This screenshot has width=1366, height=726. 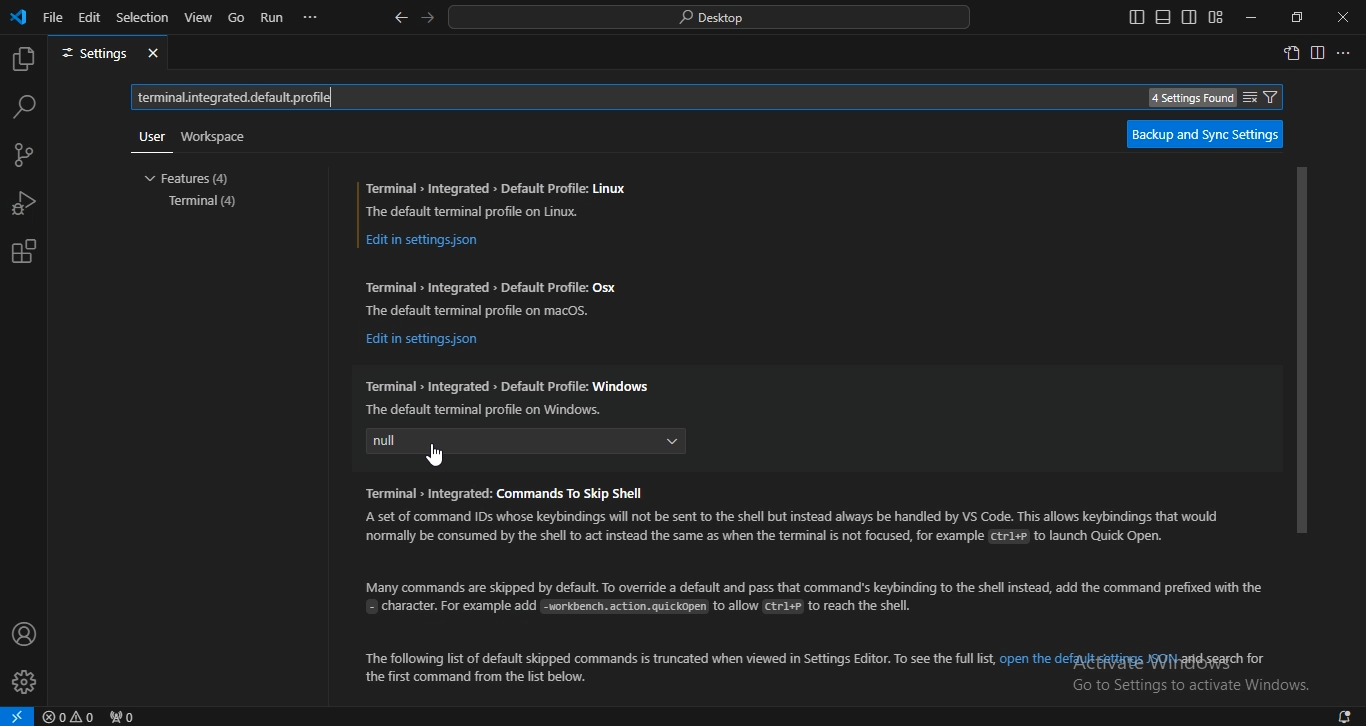 What do you see at coordinates (803, 583) in the screenshot?
I see `Terminal » Integrated: Commands To Skip ShellA set of command IDs whose keybindings will not be sent to the shell but instead always be handled by Vs Code. This allows keybindings that wouldnormally be consumed by the shell to act instead the same as when the terminal is not focused, for example Ctr1## to launch Quick Open.Many commands are skipped by default. To override a default and pass that command's keybinding to the shell instead, add the command prefixed with the= character. For example add workbench. action. quickopen to allow CEr1+# to reach the shell.“The following list of default skipped commands is truncated when viewed in Settings Editor. To see the full list, open the defaylt ggitings JQ 1esgasch forthe first command from the list below. ` at bounding box center [803, 583].